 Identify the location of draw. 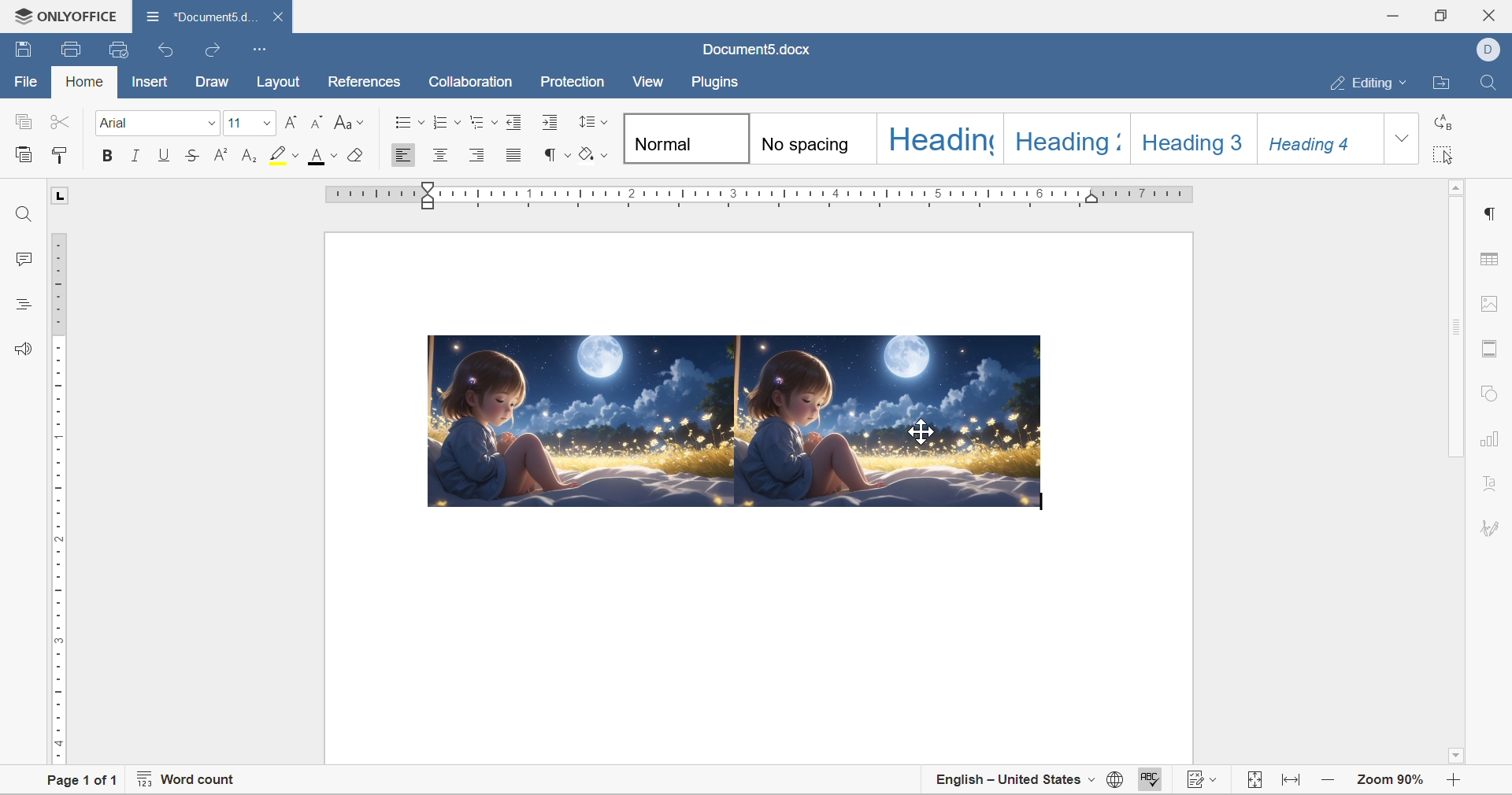
(210, 79).